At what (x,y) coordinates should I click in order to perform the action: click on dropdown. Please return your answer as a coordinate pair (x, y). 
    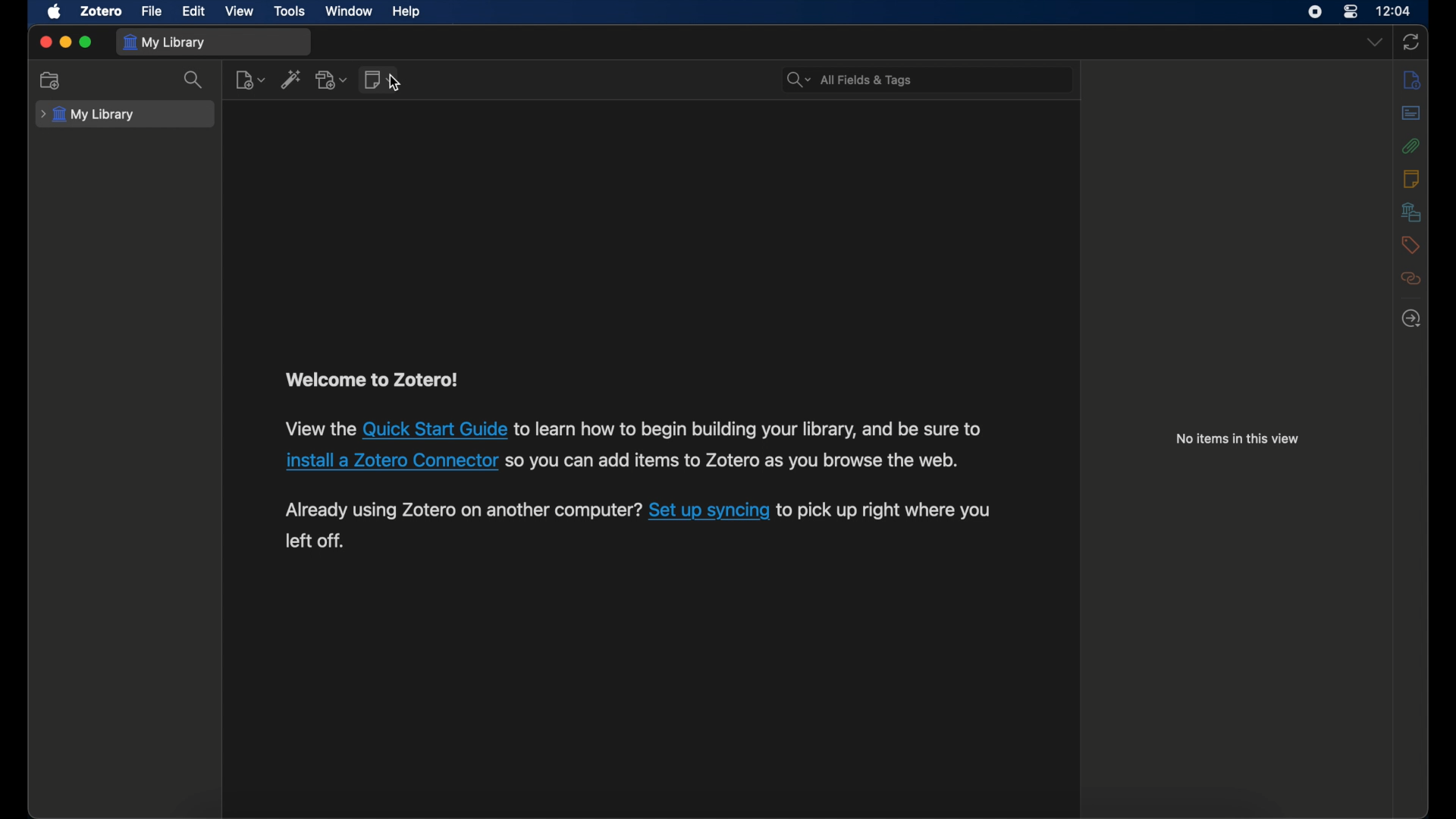
    Looking at the image, I should click on (1375, 42).